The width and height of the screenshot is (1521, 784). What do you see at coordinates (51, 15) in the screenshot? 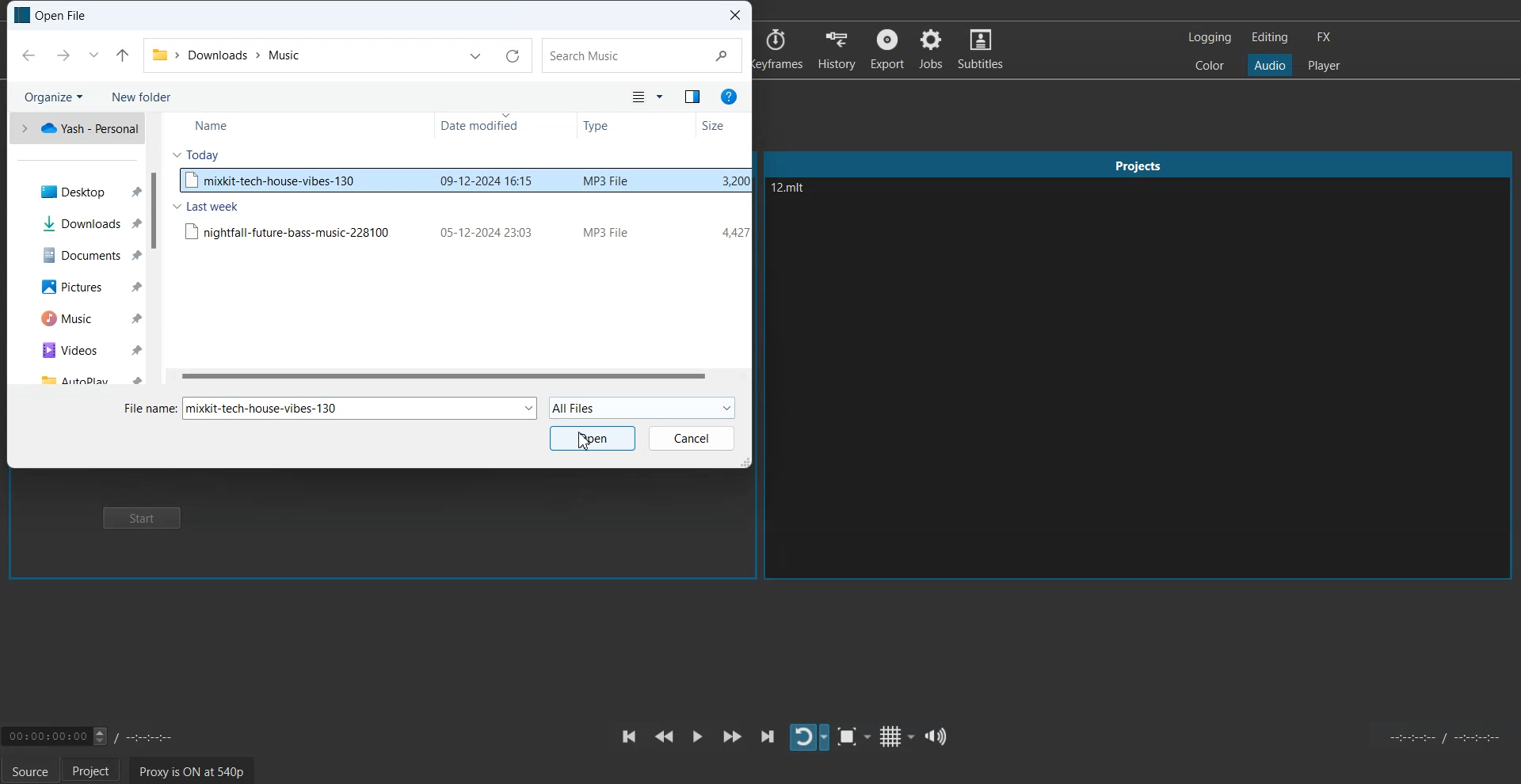
I see `Text` at bounding box center [51, 15].